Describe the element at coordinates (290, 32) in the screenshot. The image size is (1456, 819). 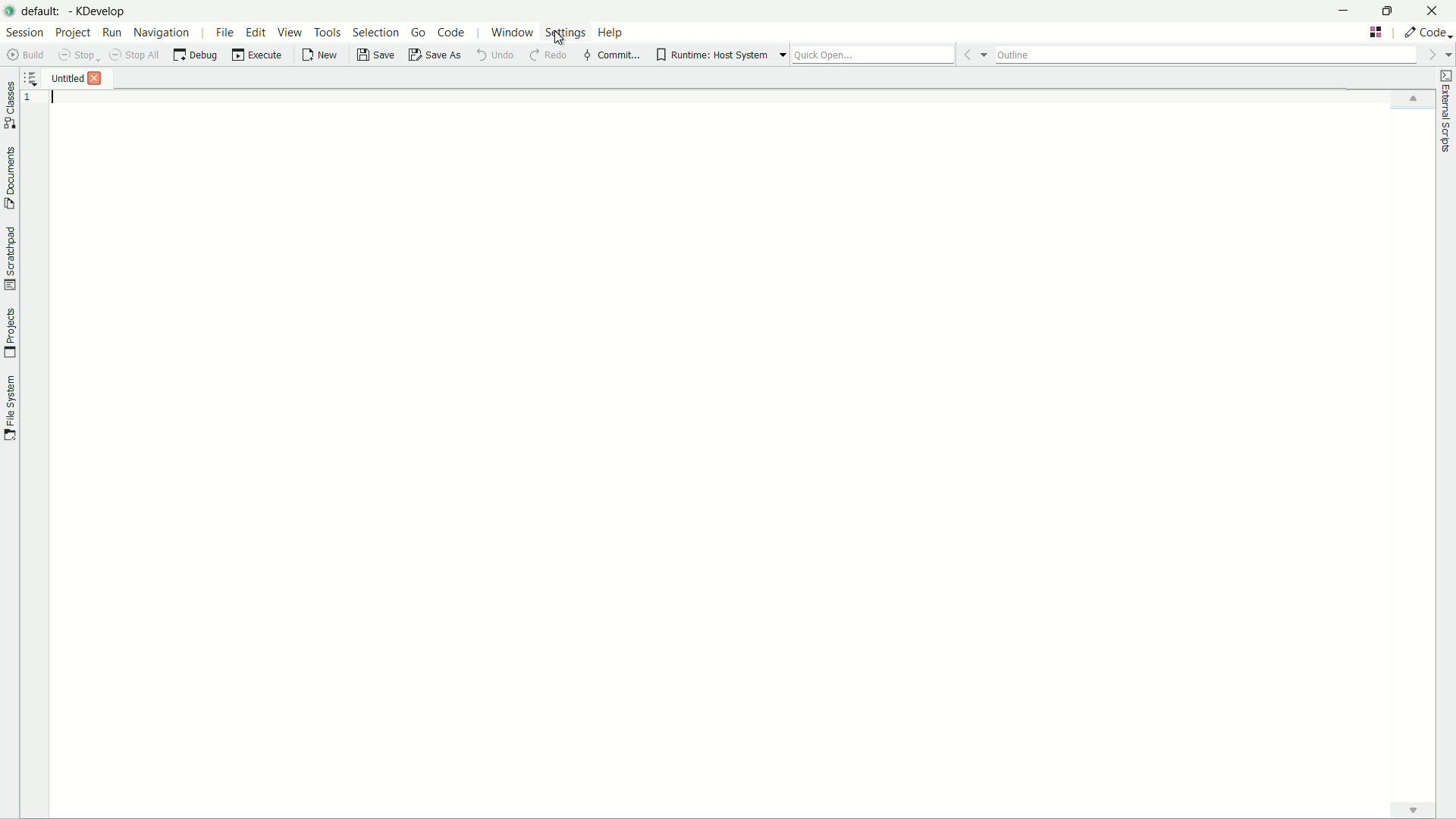
I see `view` at that location.